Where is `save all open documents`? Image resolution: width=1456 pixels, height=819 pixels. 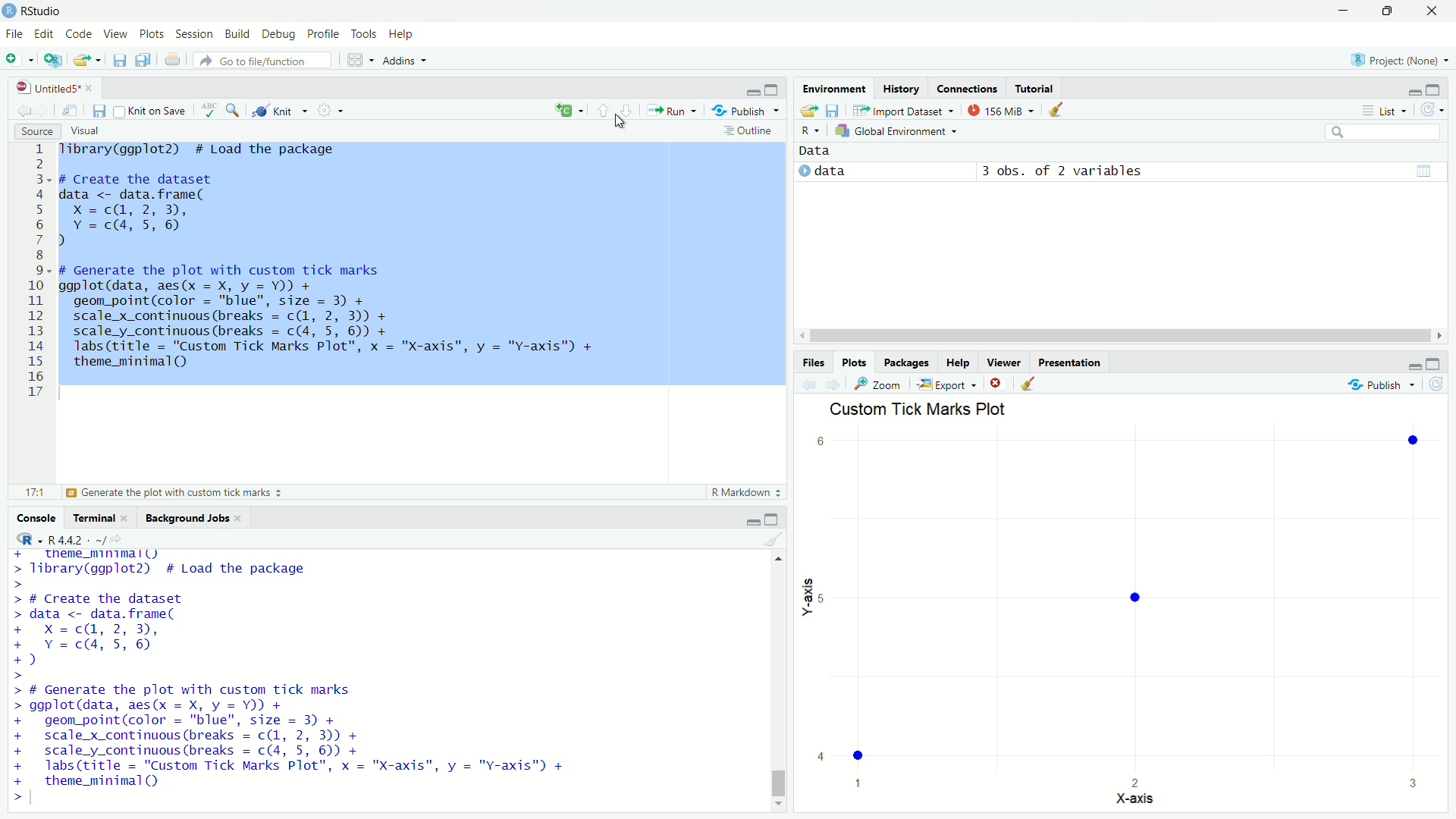 save all open documents is located at coordinates (142, 61).